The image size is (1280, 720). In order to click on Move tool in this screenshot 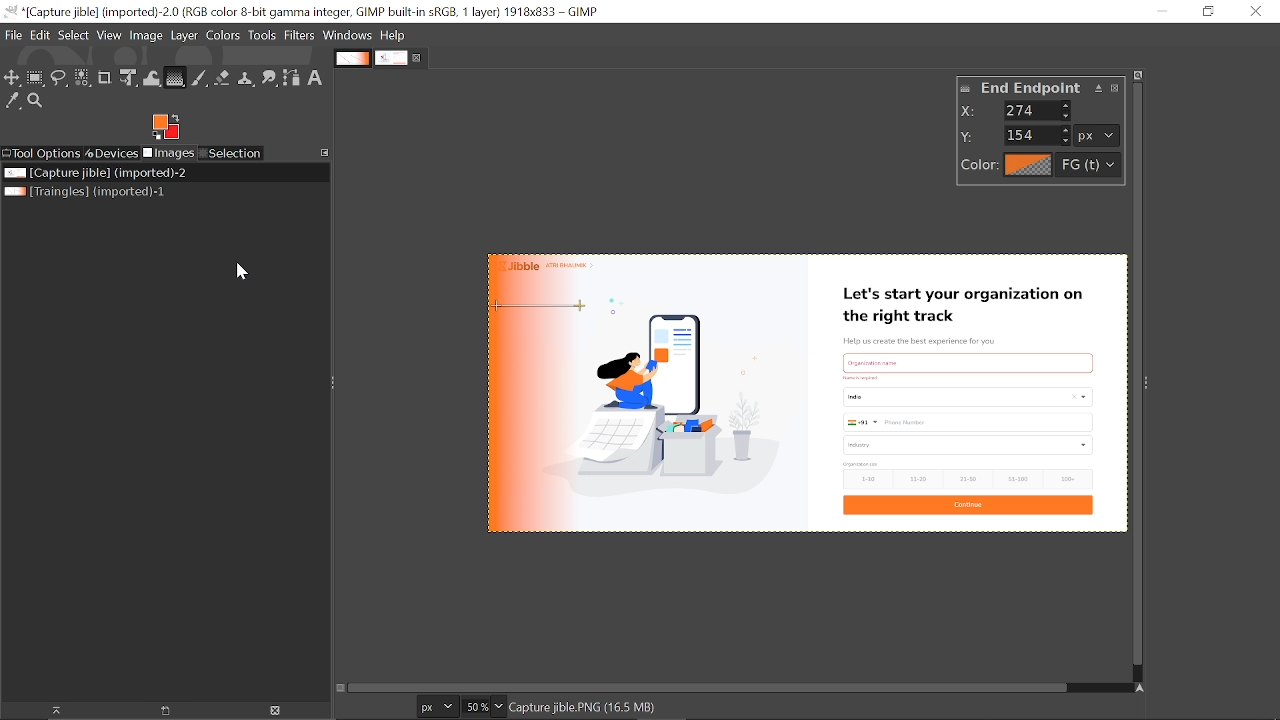, I will do `click(12, 78)`.